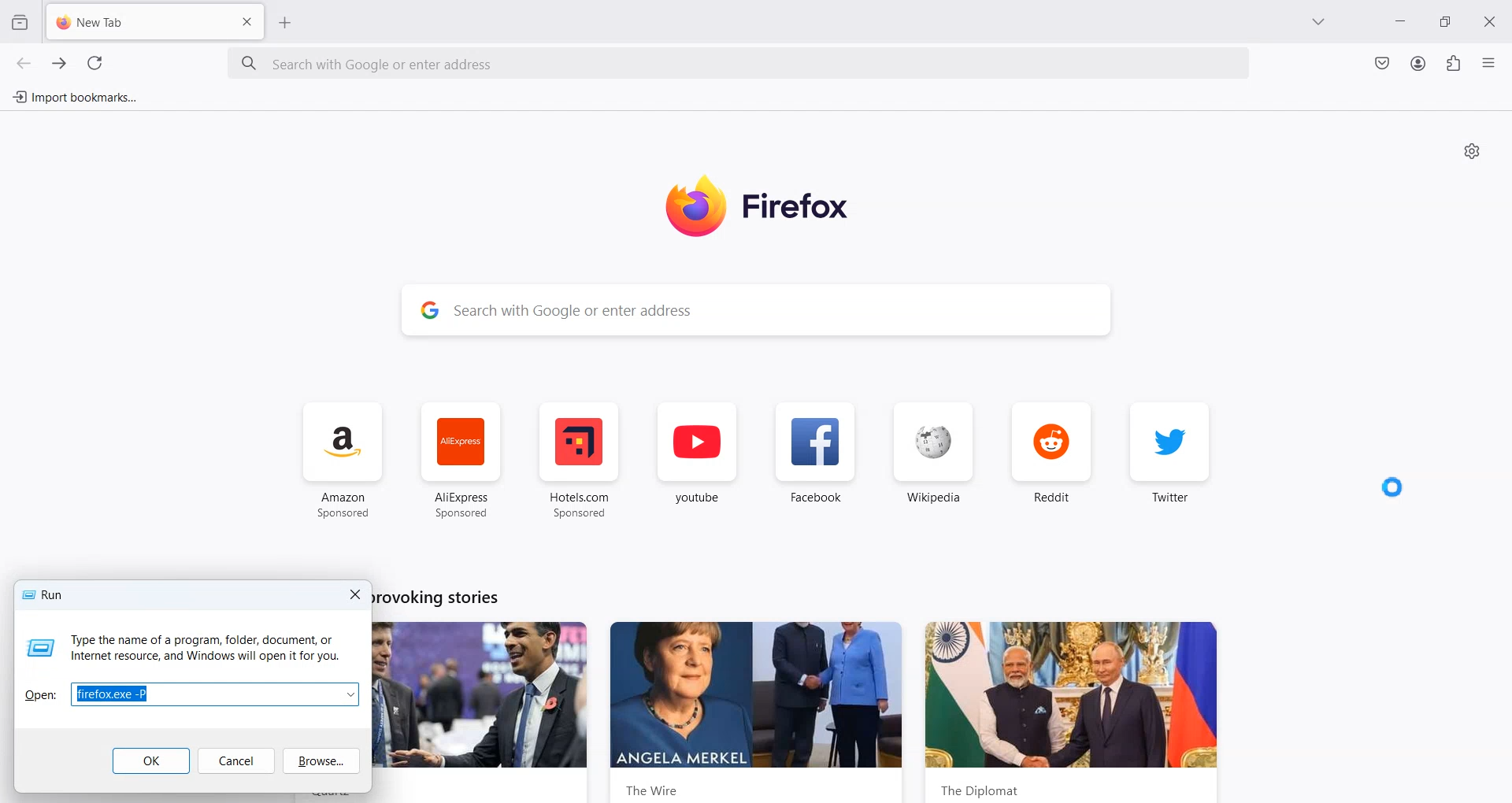  What do you see at coordinates (94, 64) in the screenshot?
I see `Refresh` at bounding box center [94, 64].